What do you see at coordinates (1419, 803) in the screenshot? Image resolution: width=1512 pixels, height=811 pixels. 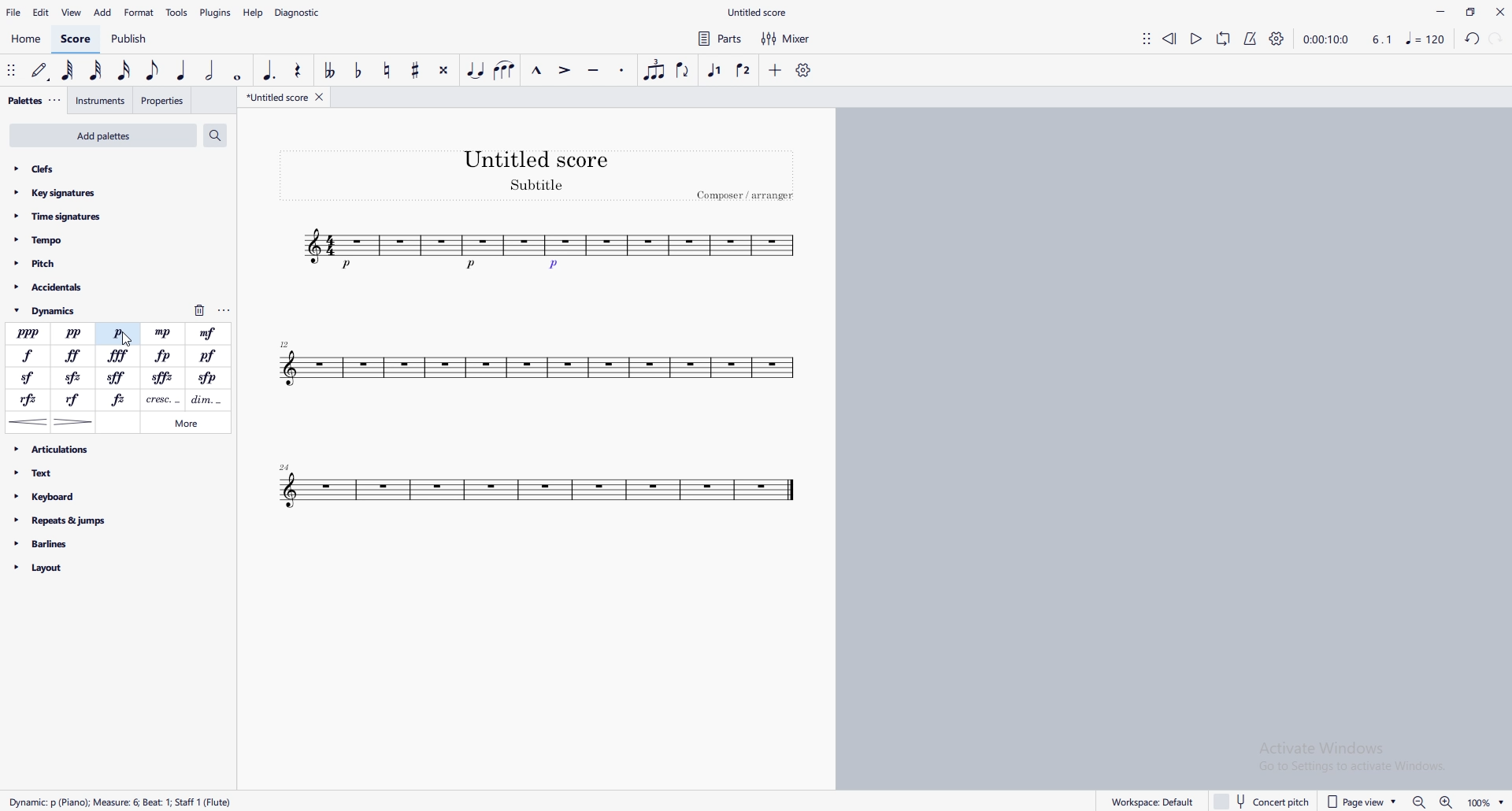 I see `zoom out` at bounding box center [1419, 803].